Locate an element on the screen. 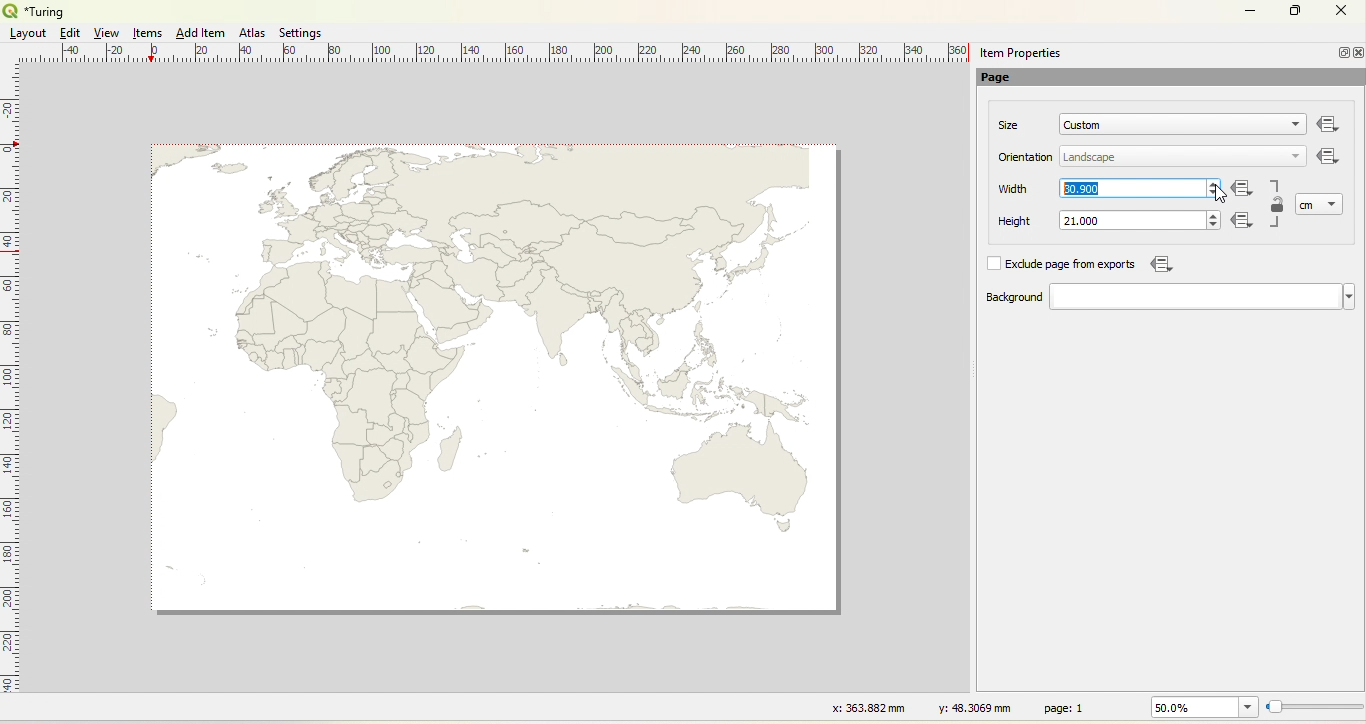  Icon is located at coordinates (1159, 264).